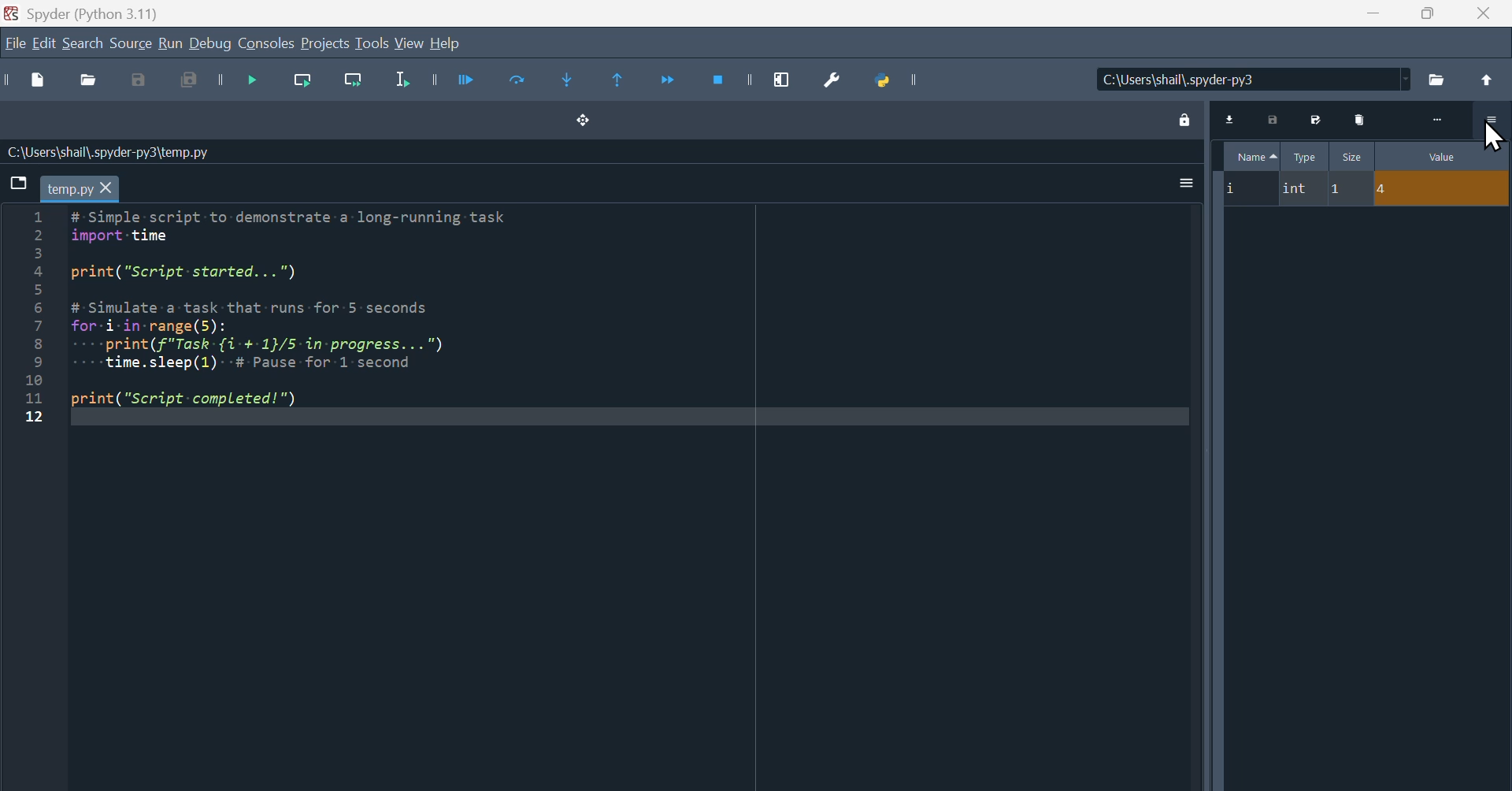 The image size is (1512, 791). Describe the element at coordinates (1484, 13) in the screenshot. I see `Close` at that location.